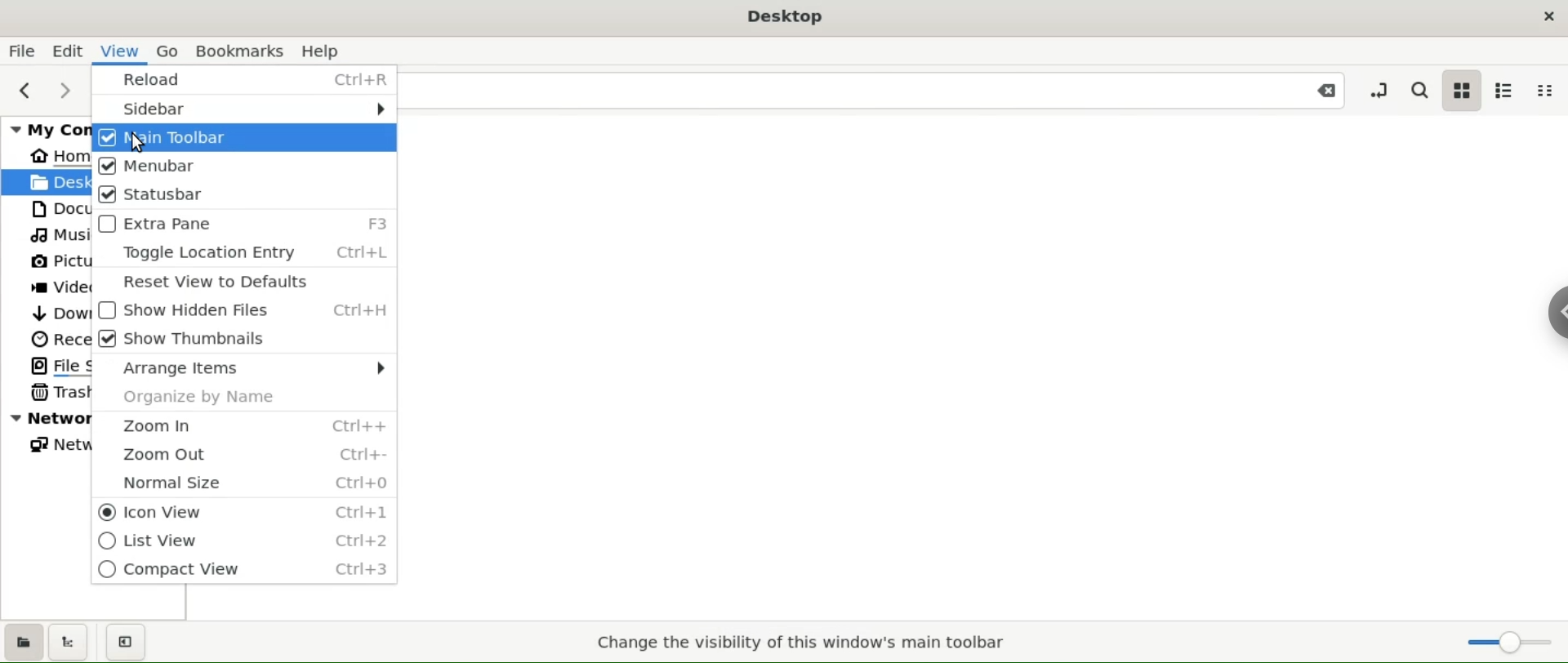 This screenshot has height=663, width=1568. What do you see at coordinates (1416, 89) in the screenshot?
I see `search` at bounding box center [1416, 89].